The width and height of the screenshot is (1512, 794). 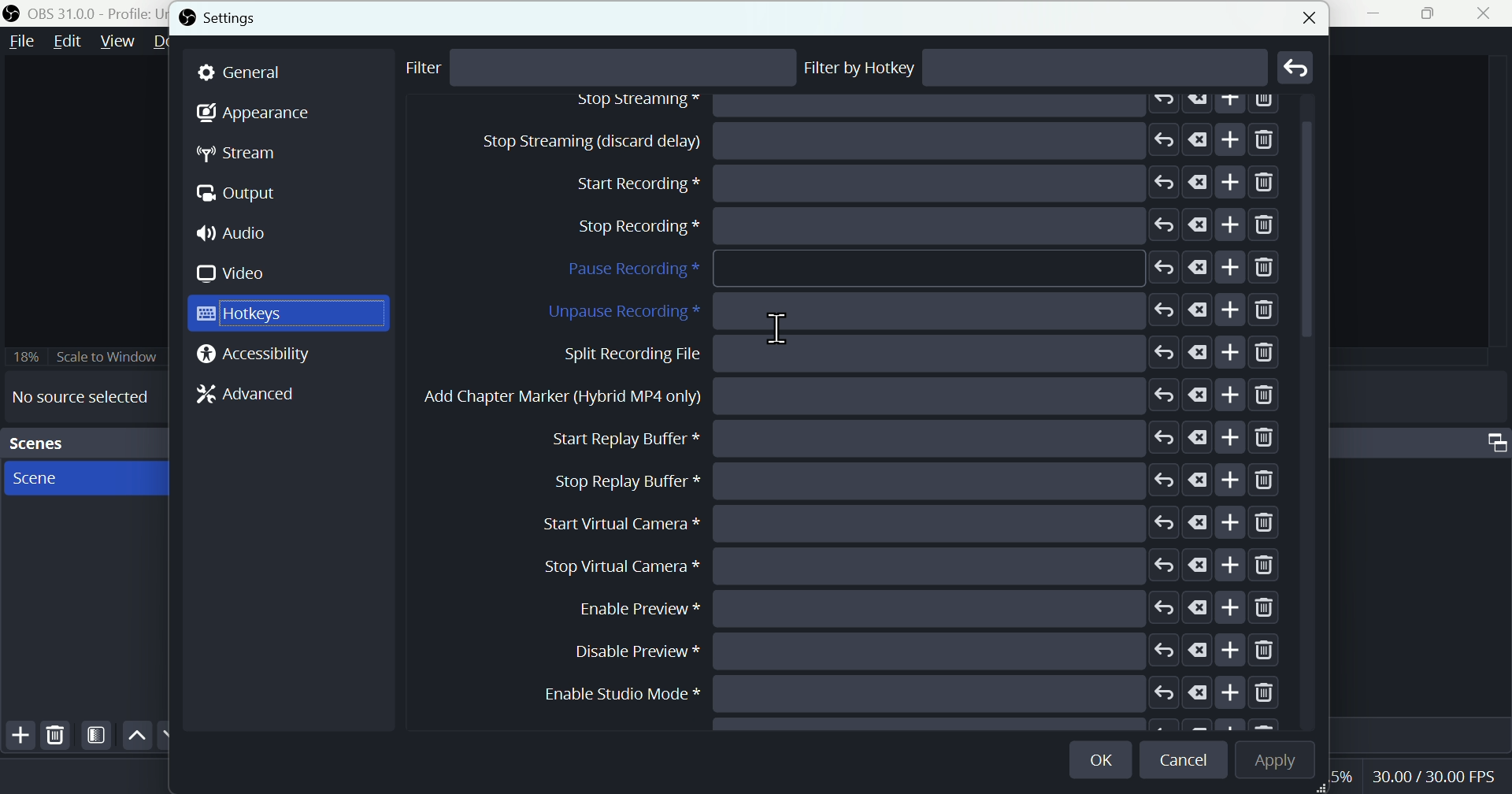 I want to click on Enable preview, so click(x=928, y=608).